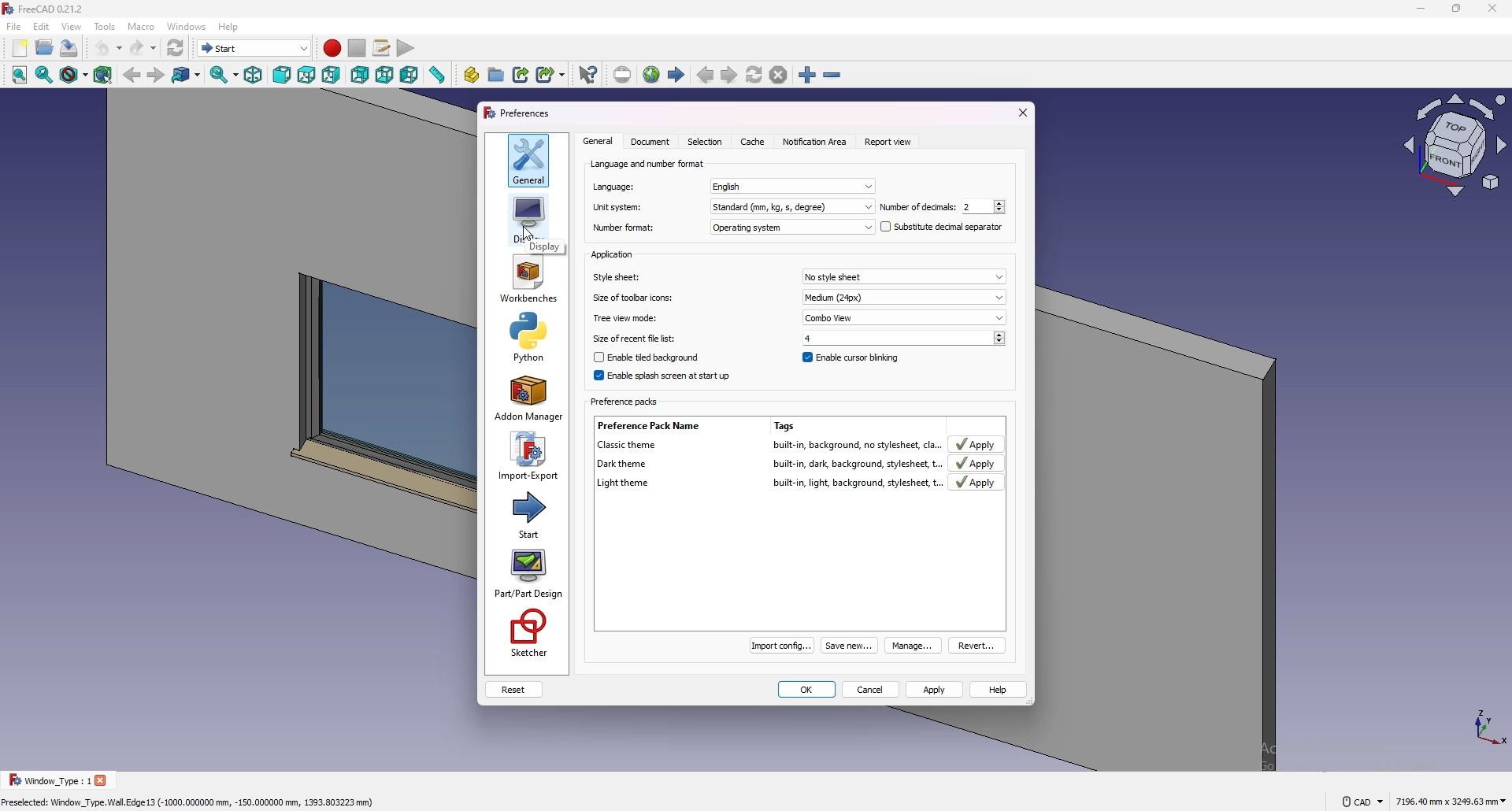 The width and height of the screenshot is (1512, 811). Describe the element at coordinates (815, 142) in the screenshot. I see `notification area` at that location.